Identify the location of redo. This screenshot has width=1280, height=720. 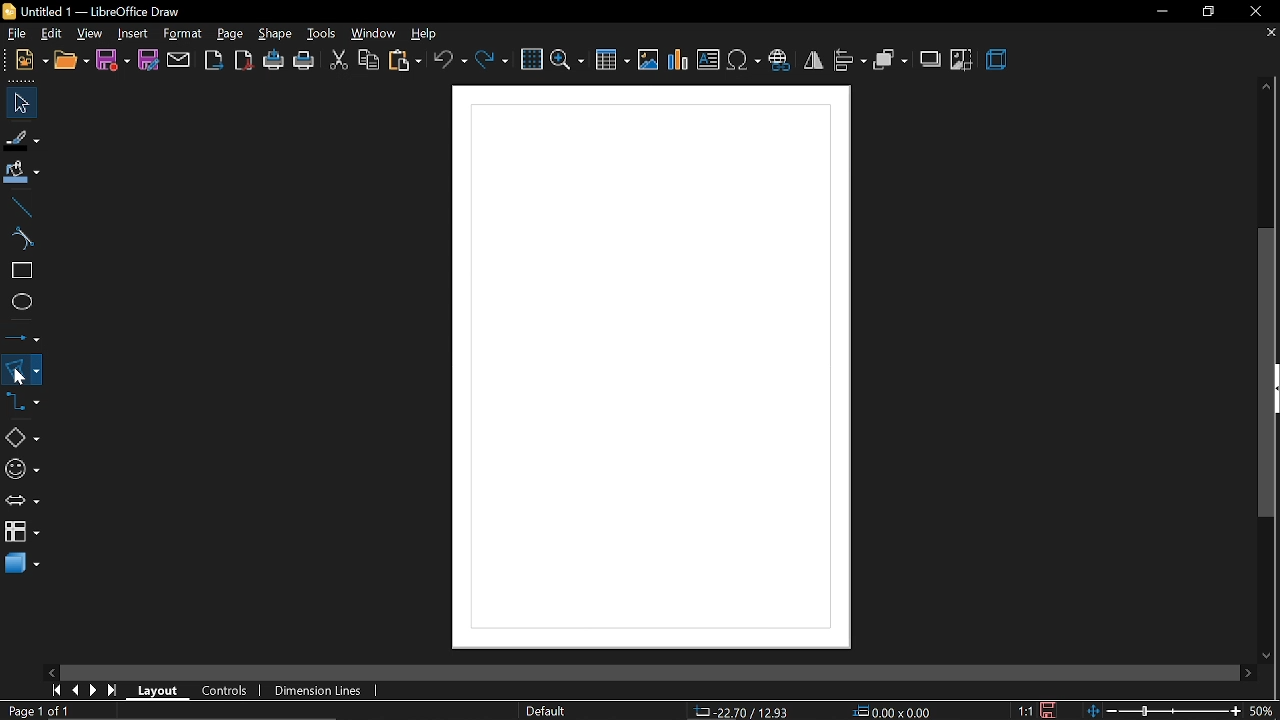
(491, 58).